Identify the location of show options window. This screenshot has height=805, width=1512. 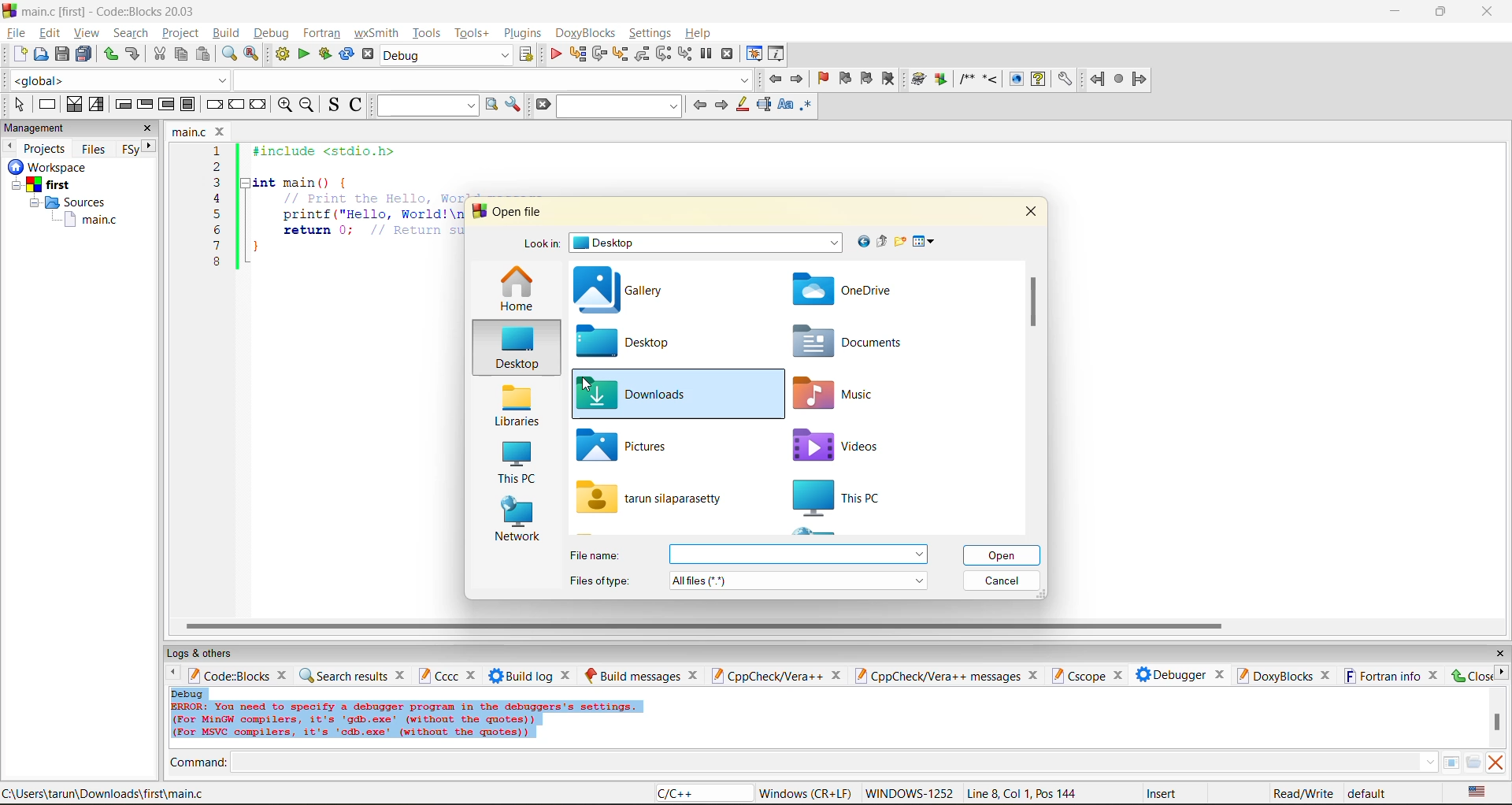
(513, 105).